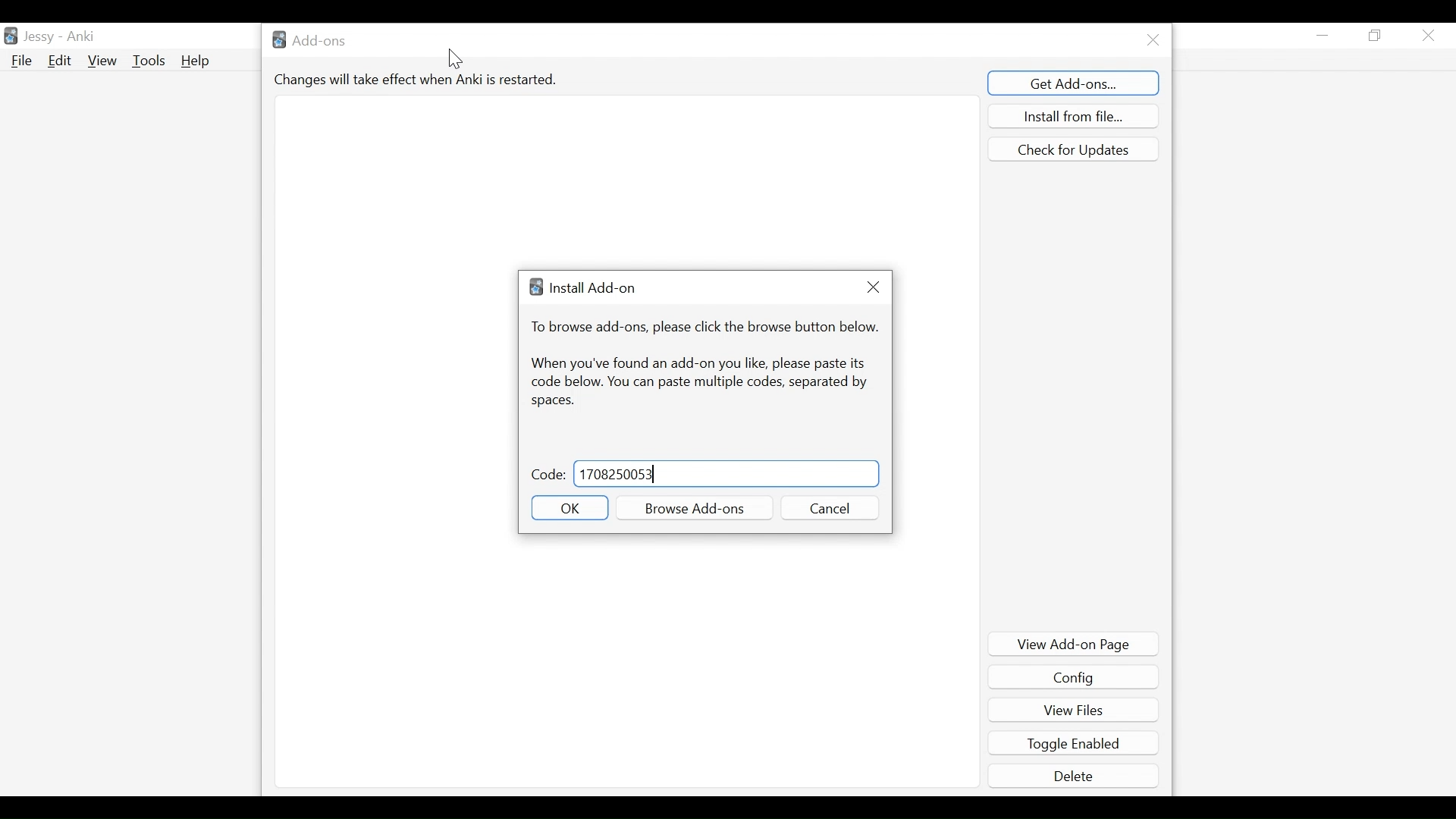 This screenshot has width=1456, height=819. Describe the element at coordinates (695, 509) in the screenshot. I see `Browse Add-ons` at that location.